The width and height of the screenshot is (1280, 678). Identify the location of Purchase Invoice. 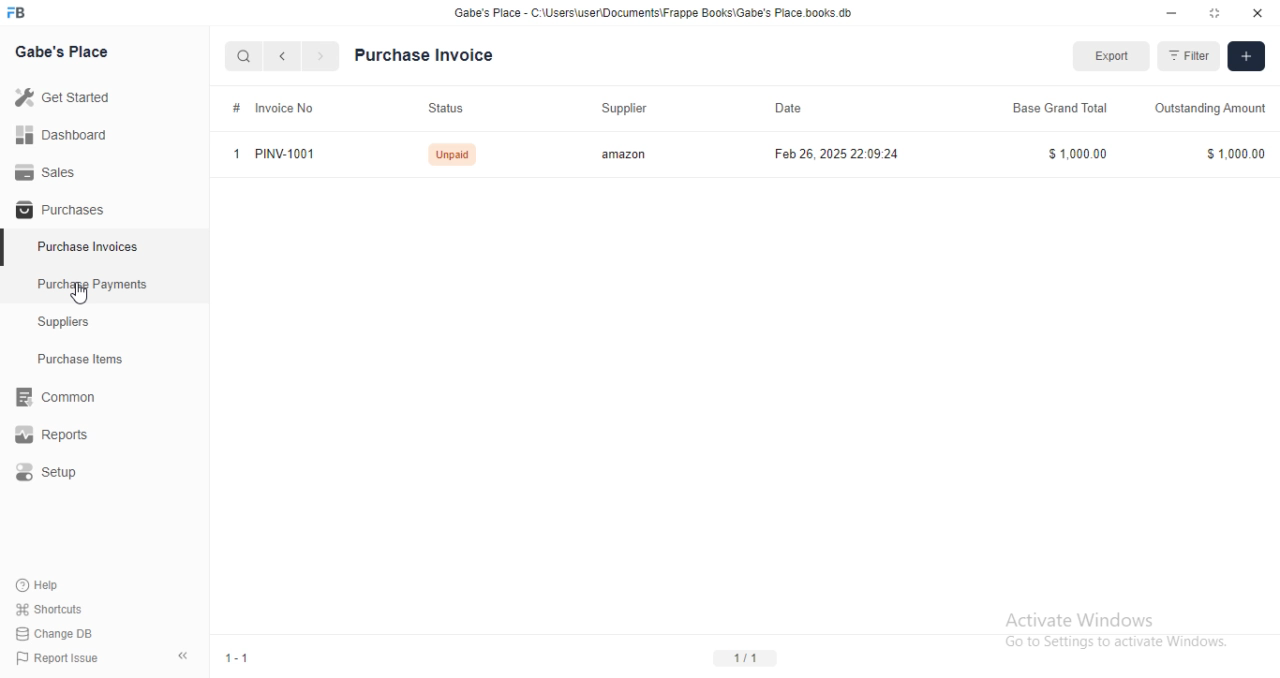
(429, 54).